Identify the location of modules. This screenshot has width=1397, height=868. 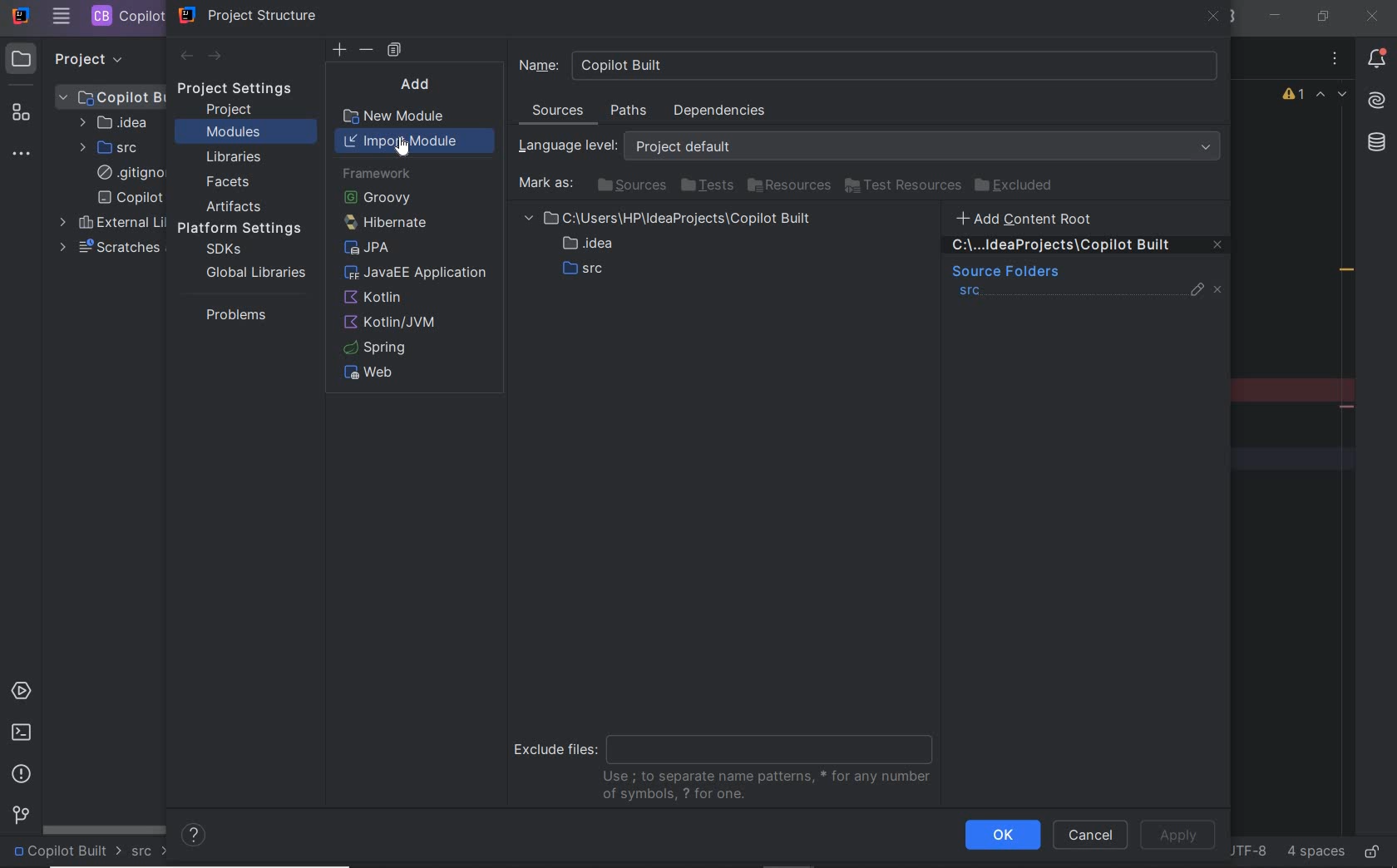
(233, 133).